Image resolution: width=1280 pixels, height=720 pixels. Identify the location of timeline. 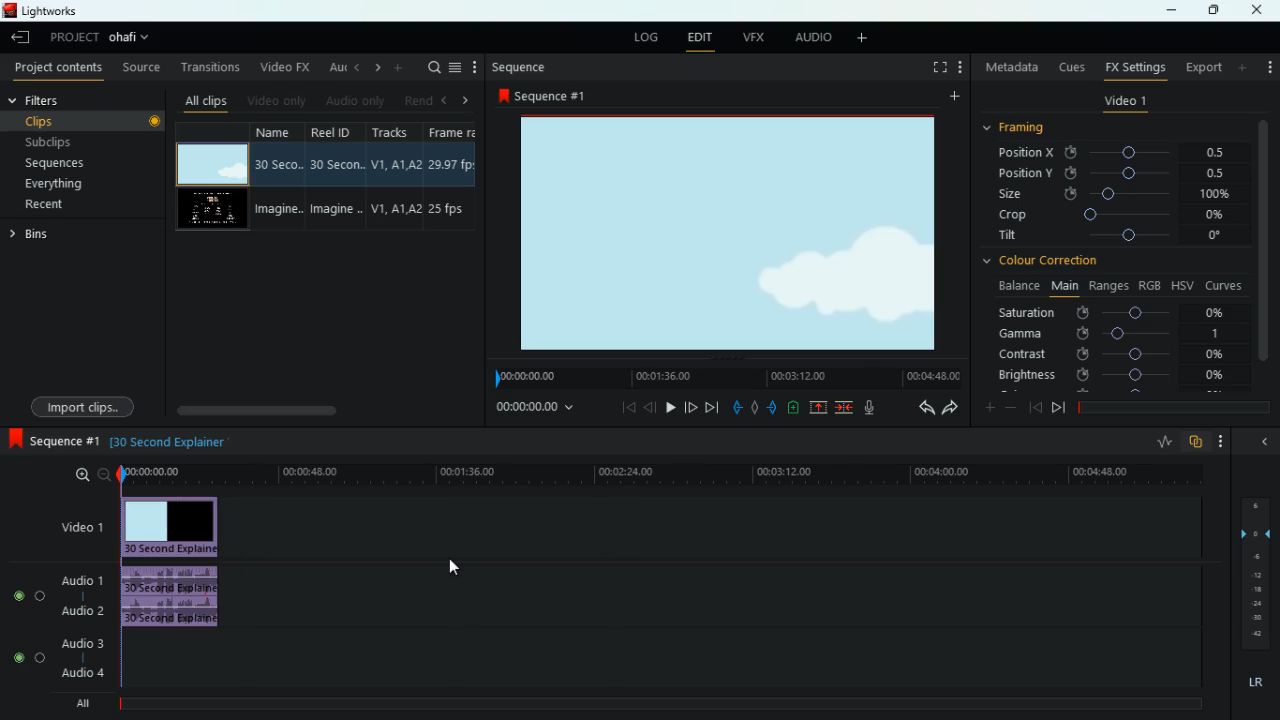
(724, 376).